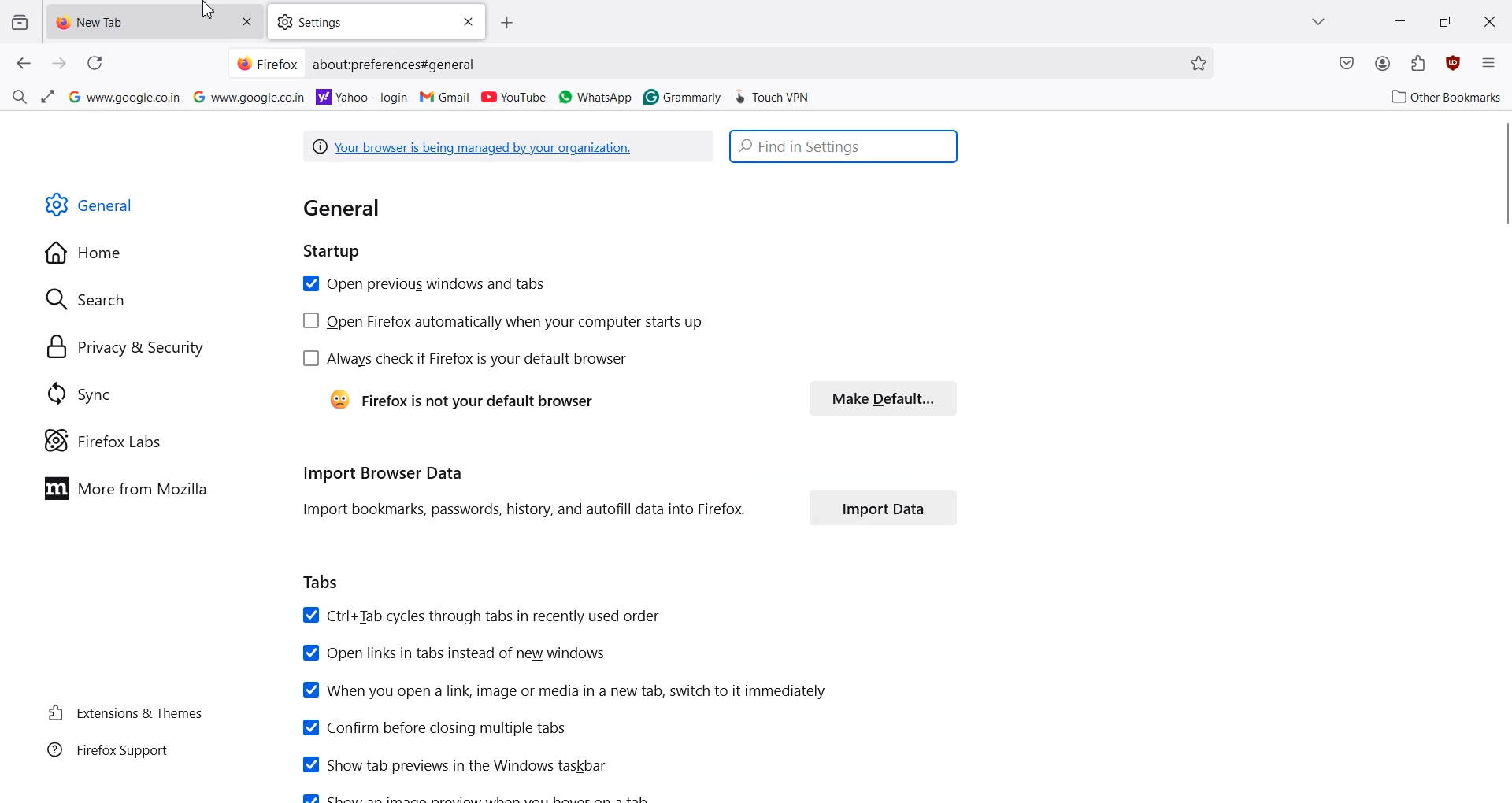 The image size is (1512, 803). What do you see at coordinates (358, 227) in the screenshot?
I see `Text` at bounding box center [358, 227].